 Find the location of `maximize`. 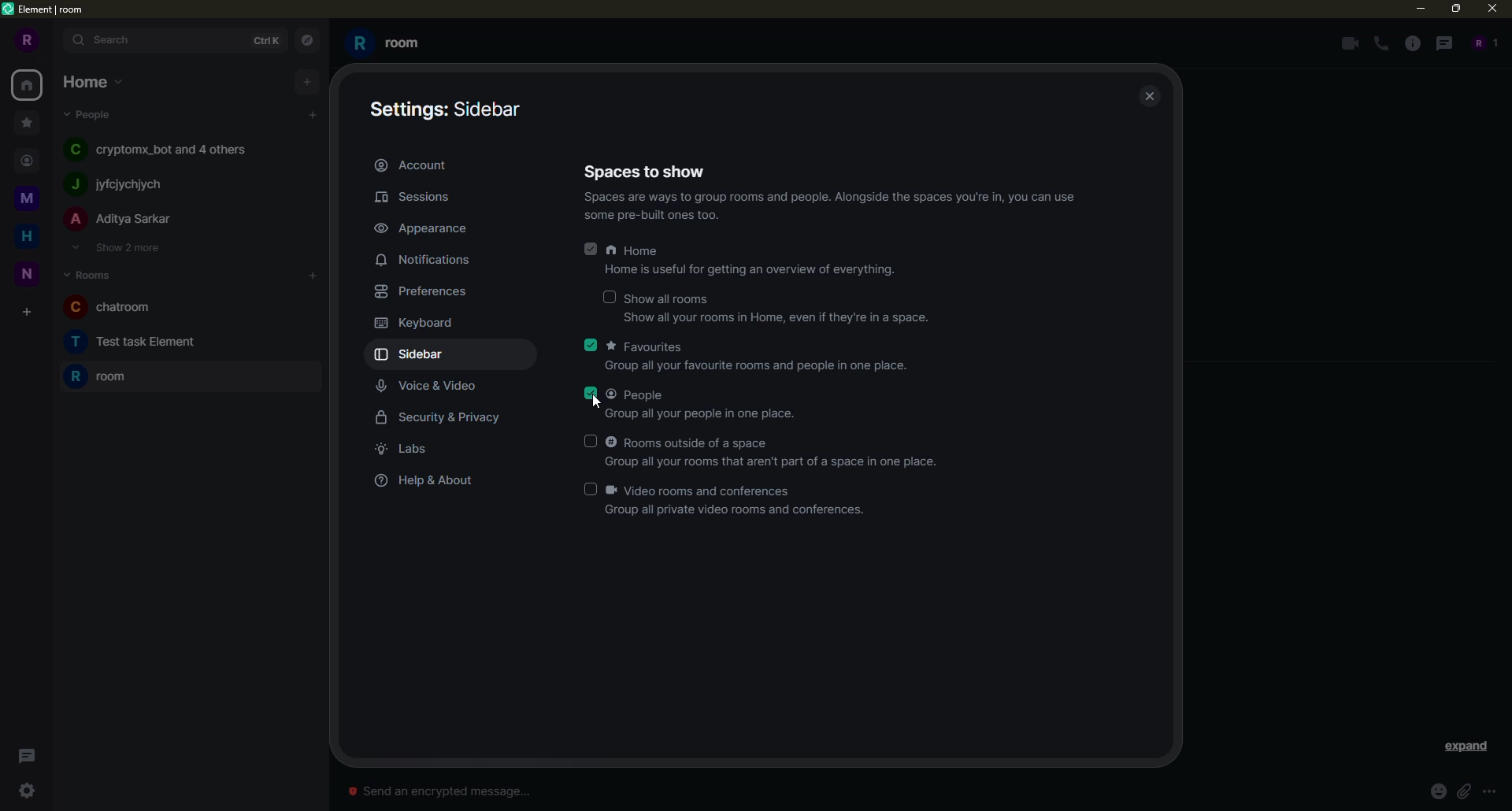

maximize is located at coordinates (1455, 9).